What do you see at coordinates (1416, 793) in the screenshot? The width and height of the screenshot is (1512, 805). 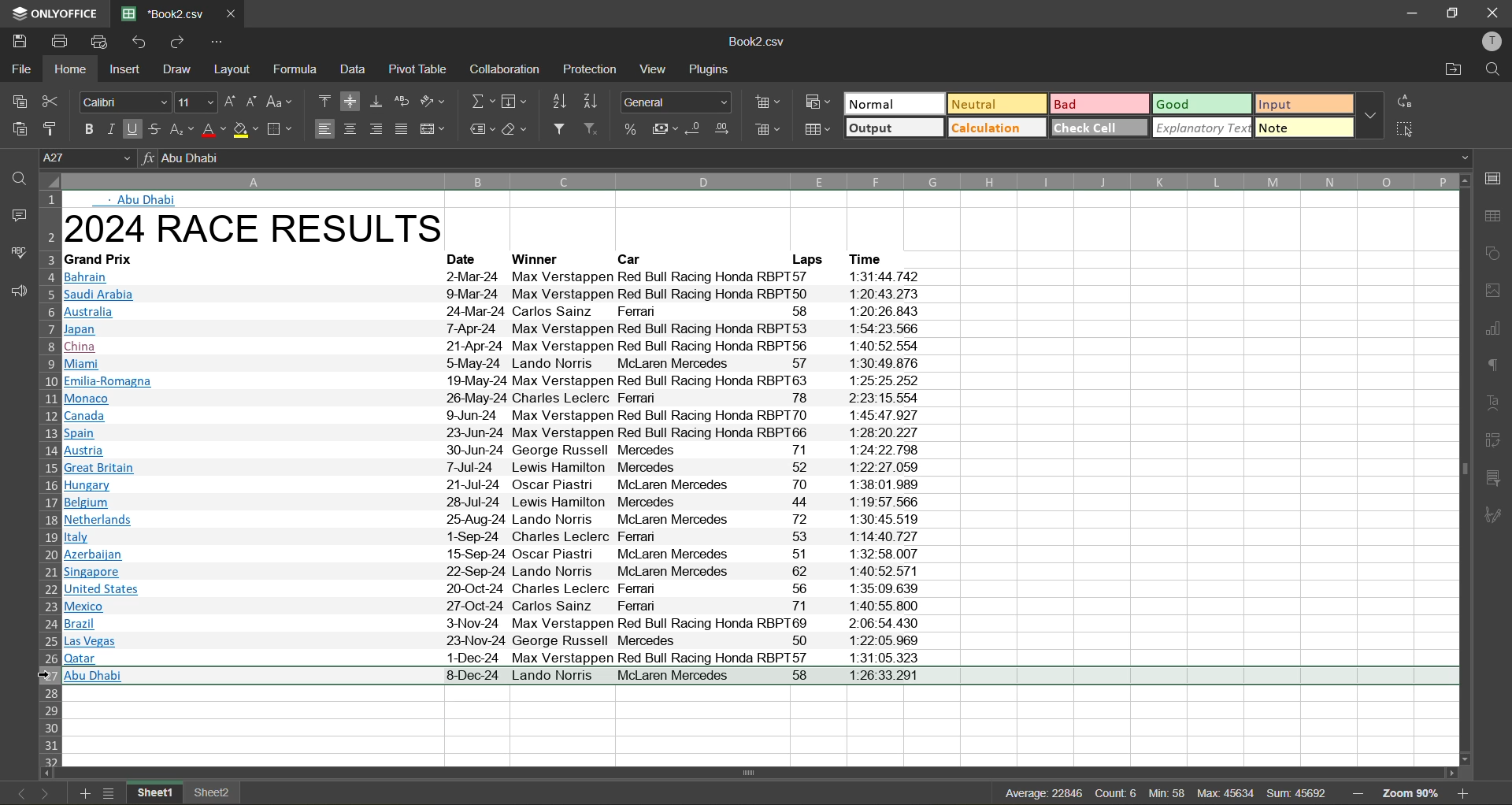 I see `zoom factor` at bounding box center [1416, 793].